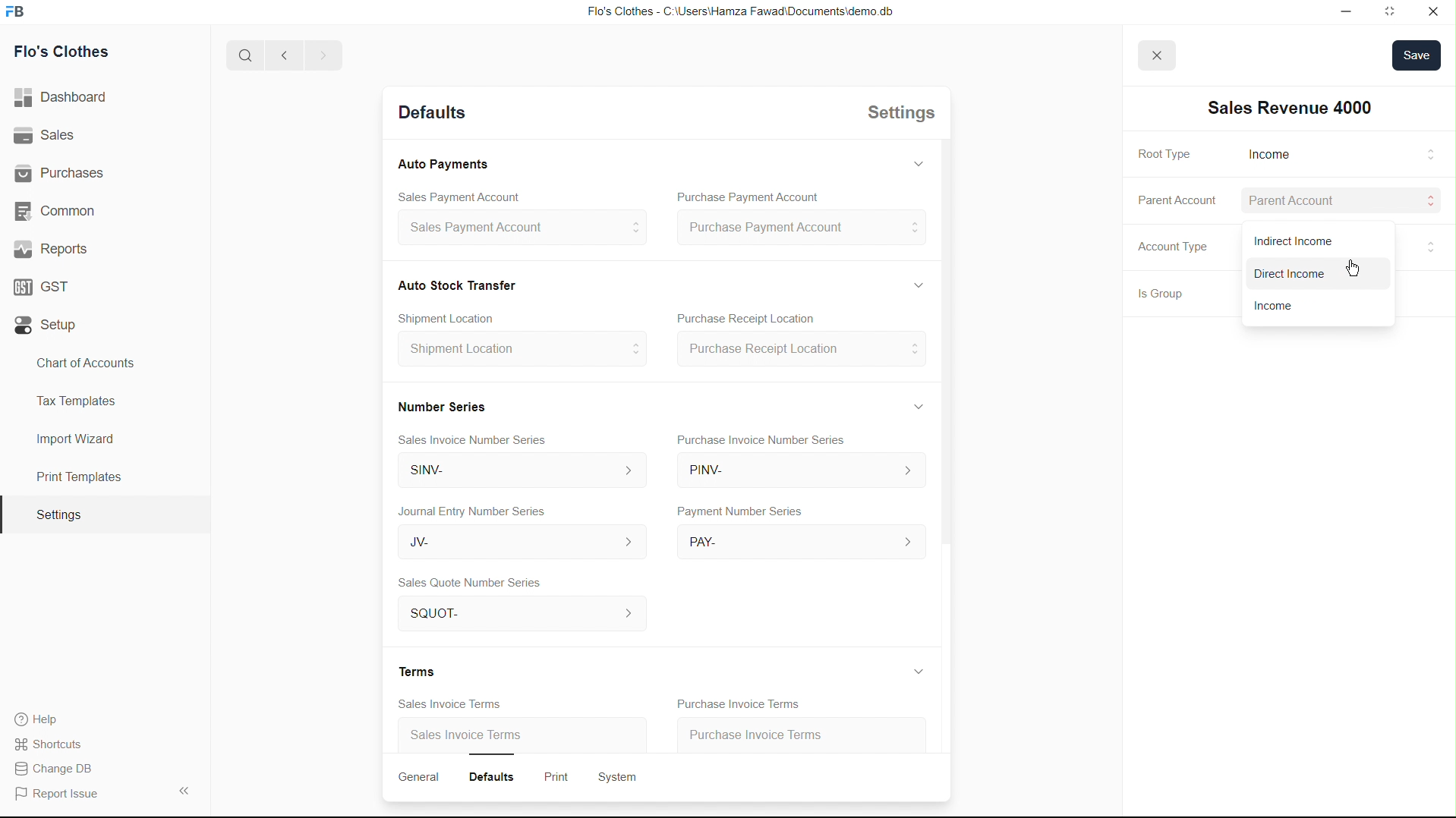  I want to click on Cash, so click(1304, 240).